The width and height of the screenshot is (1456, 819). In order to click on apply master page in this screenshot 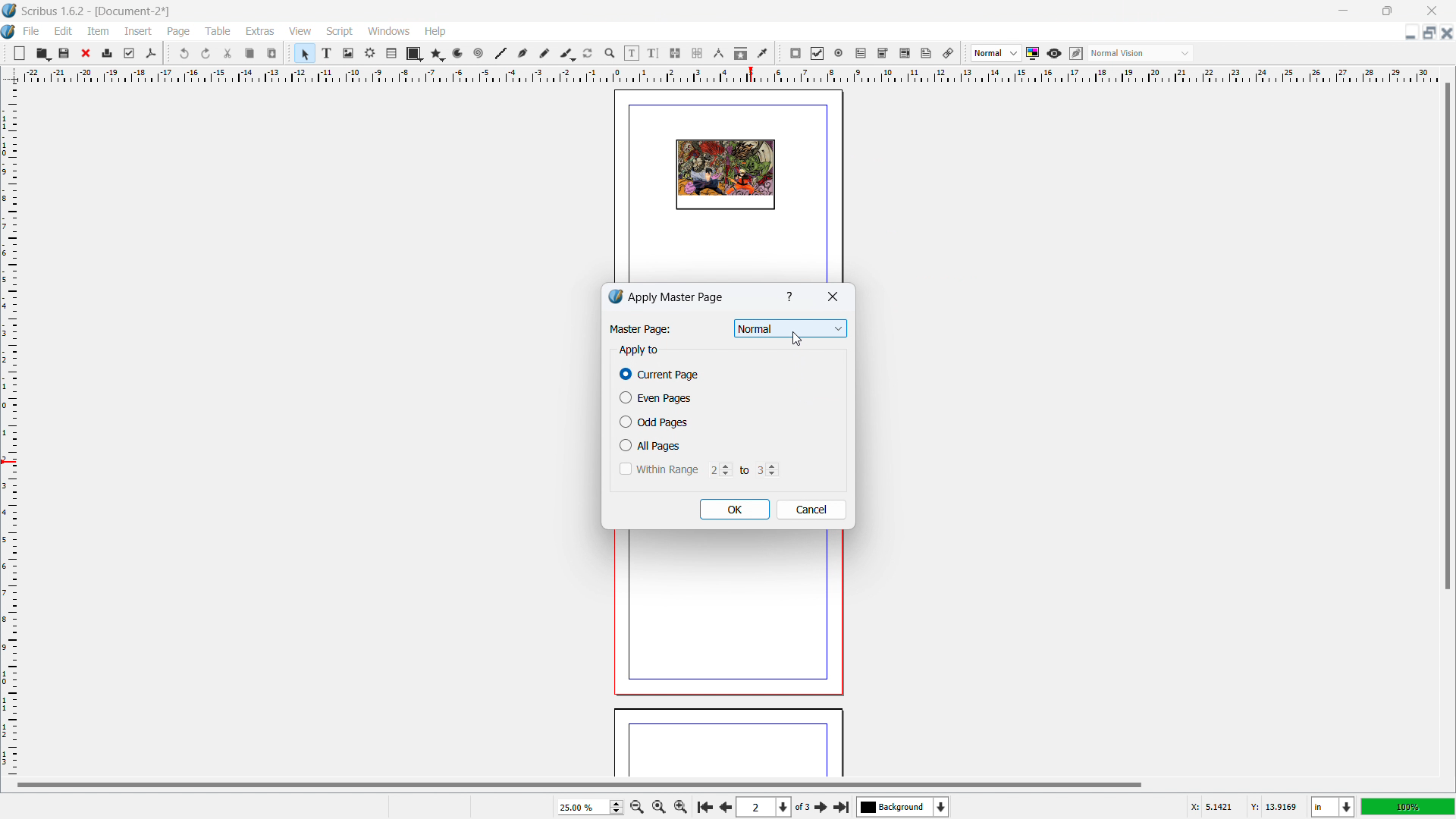, I will do `click(677, 297)`.